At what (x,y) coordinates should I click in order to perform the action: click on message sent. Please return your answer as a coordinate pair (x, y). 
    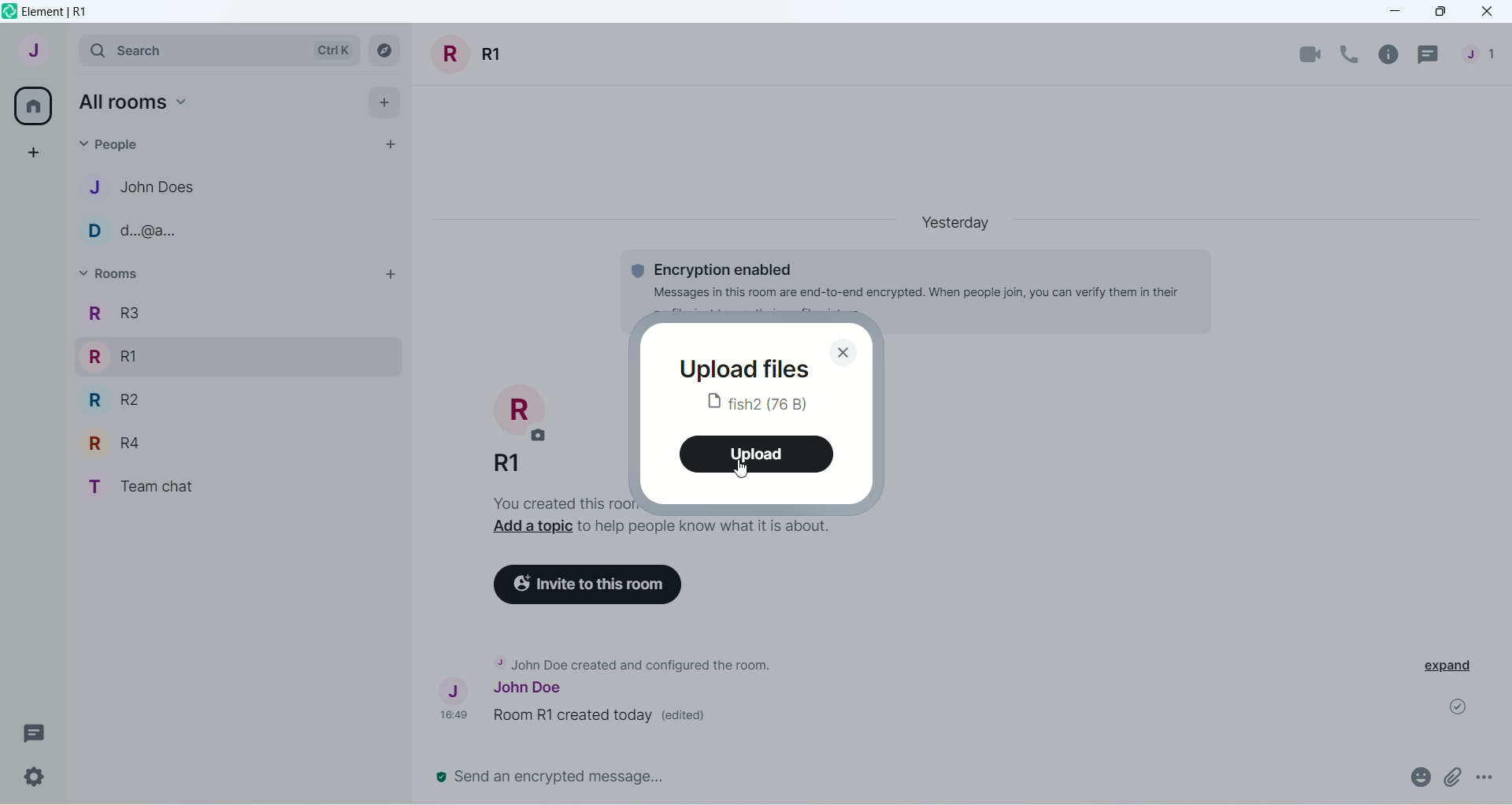
    Looking at the image, I should click on (1455, 708).